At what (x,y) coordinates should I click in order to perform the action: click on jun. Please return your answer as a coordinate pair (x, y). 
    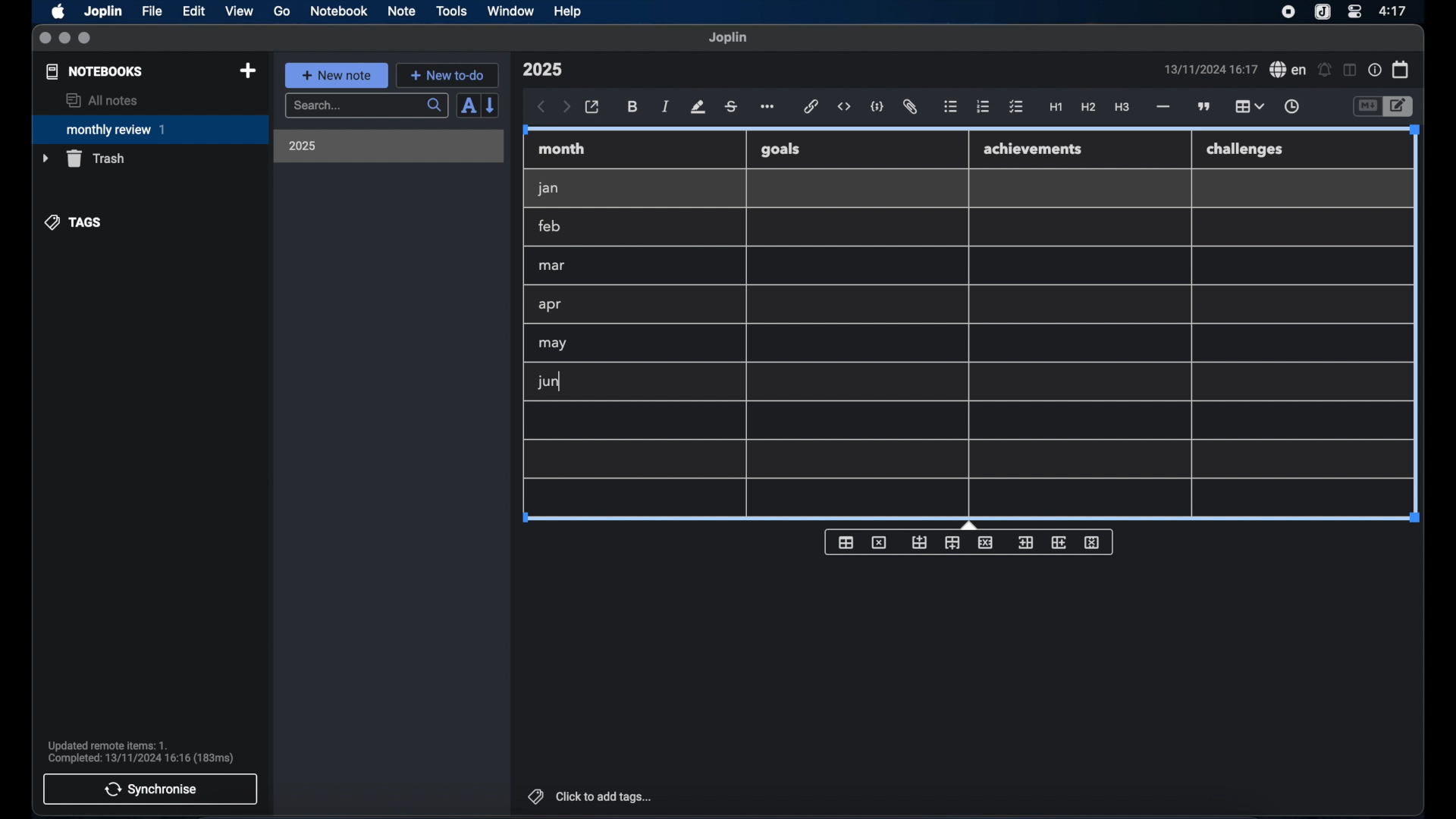
    Looking at the image, I should click on (547, 381).